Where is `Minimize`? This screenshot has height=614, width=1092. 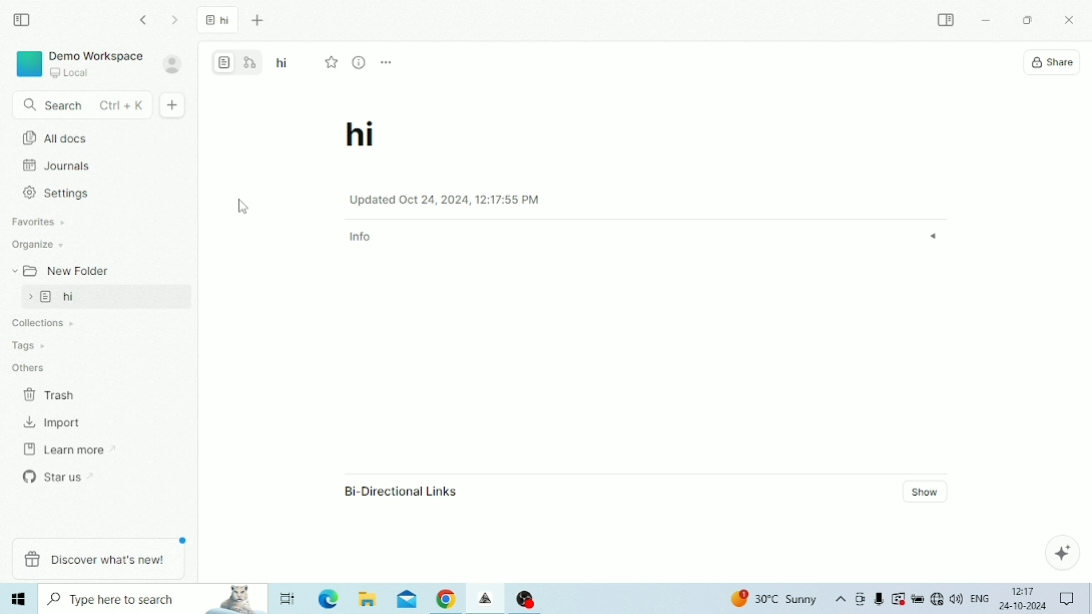 Minimize is located at coordinates (986, 21).